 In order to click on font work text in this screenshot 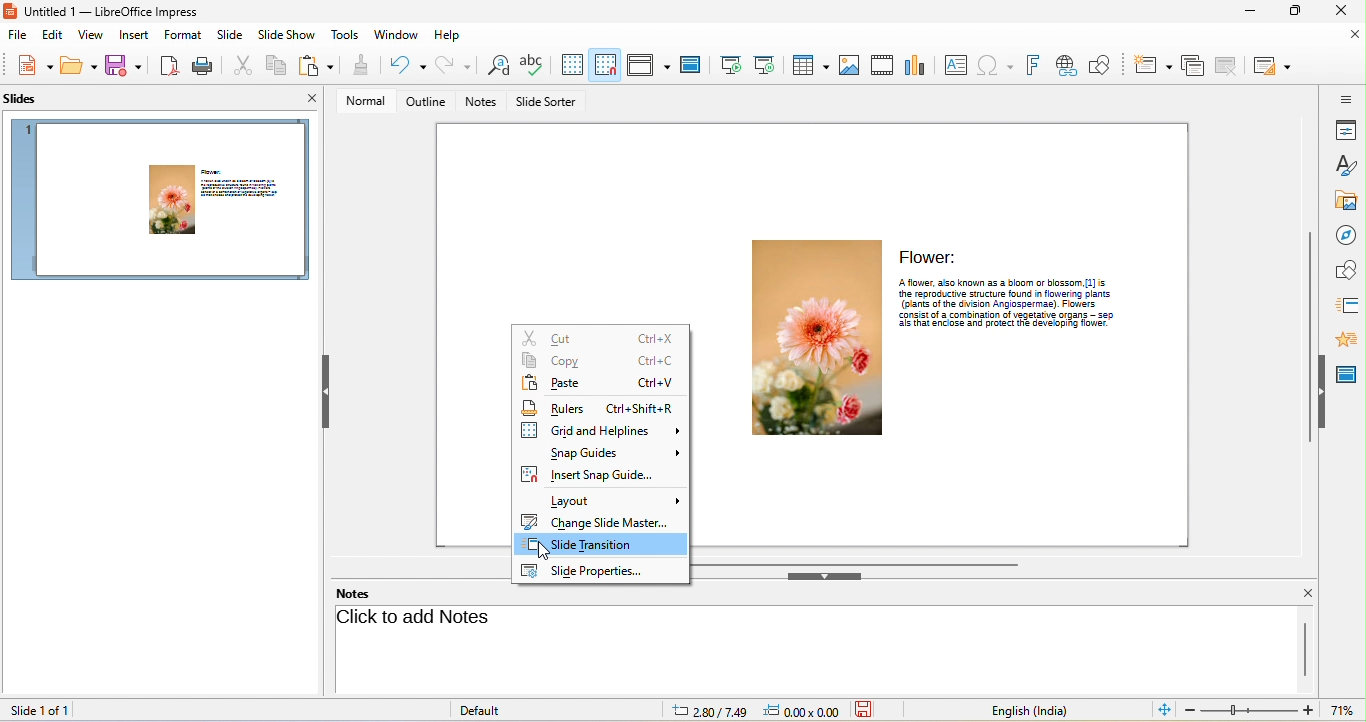, I will do `click(1034, 64)`.